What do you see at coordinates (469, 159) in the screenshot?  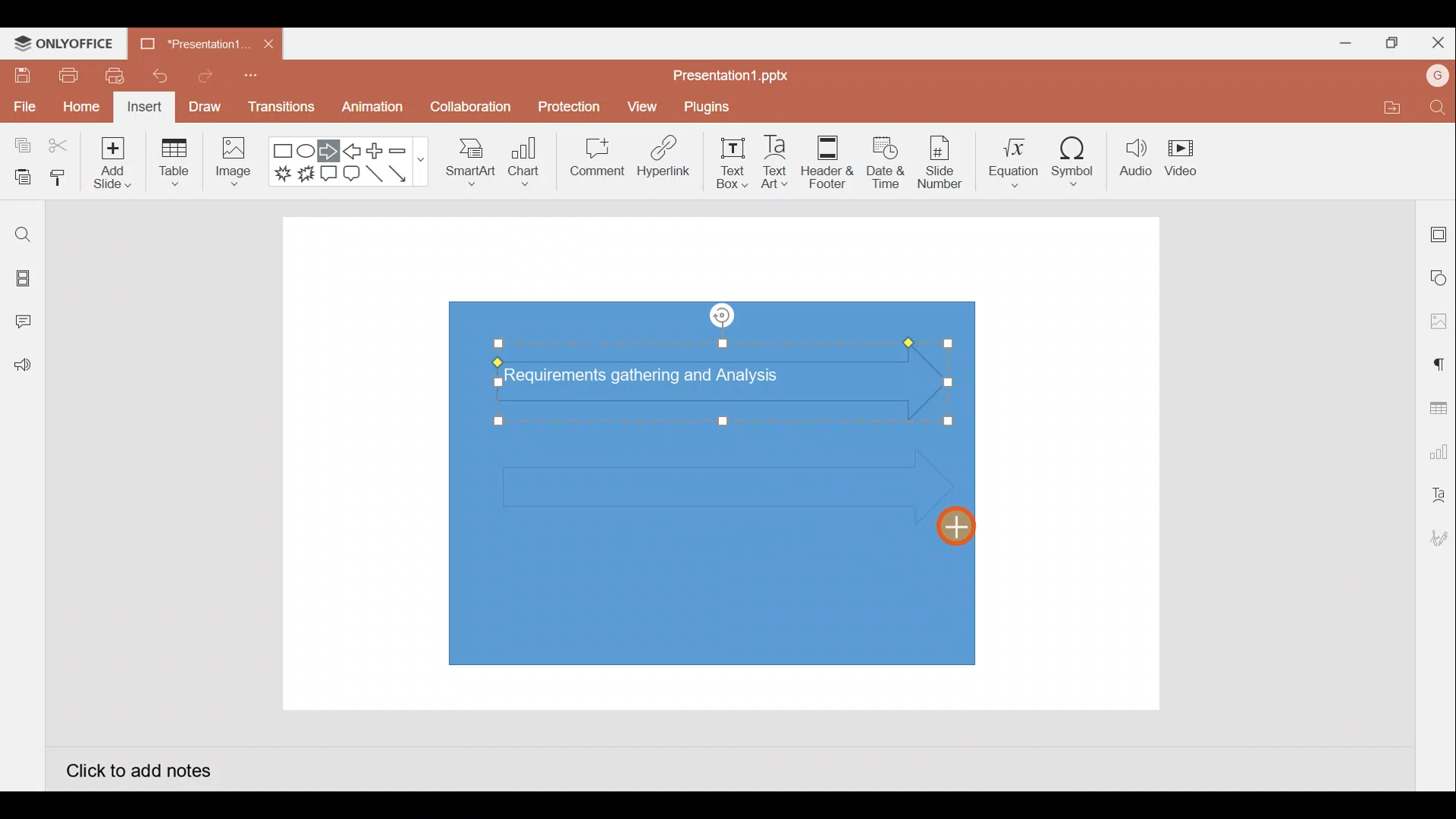 I see `SmartArt` at bounding box center [469, 159].